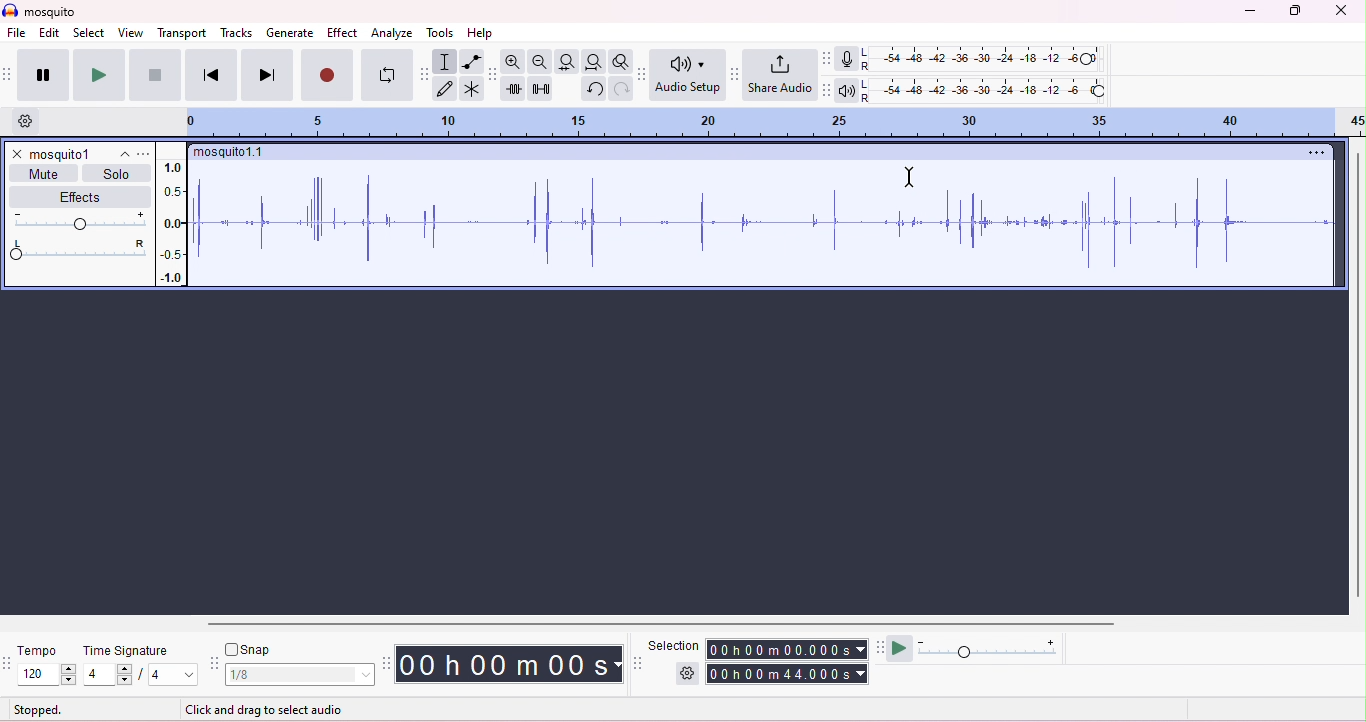 This screenshot has width=1366, height=722. I want to click on select time signature, so click(140, 675).